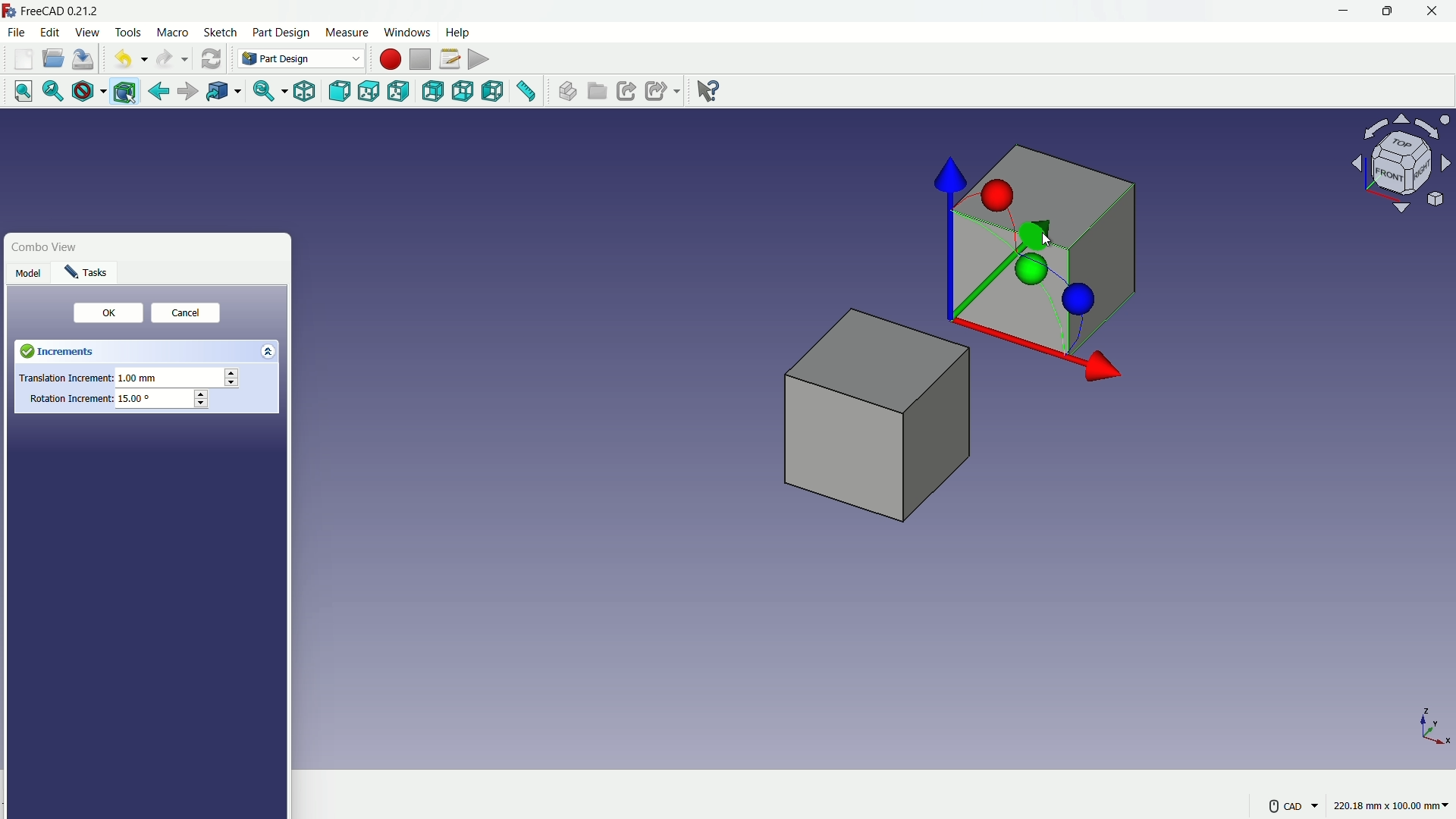 The width and height of the screenshot is (1456, 819). What do you see at coordinates (184, 315) in the screenshot?
I see `cancel` at bounding box center [184, 315].